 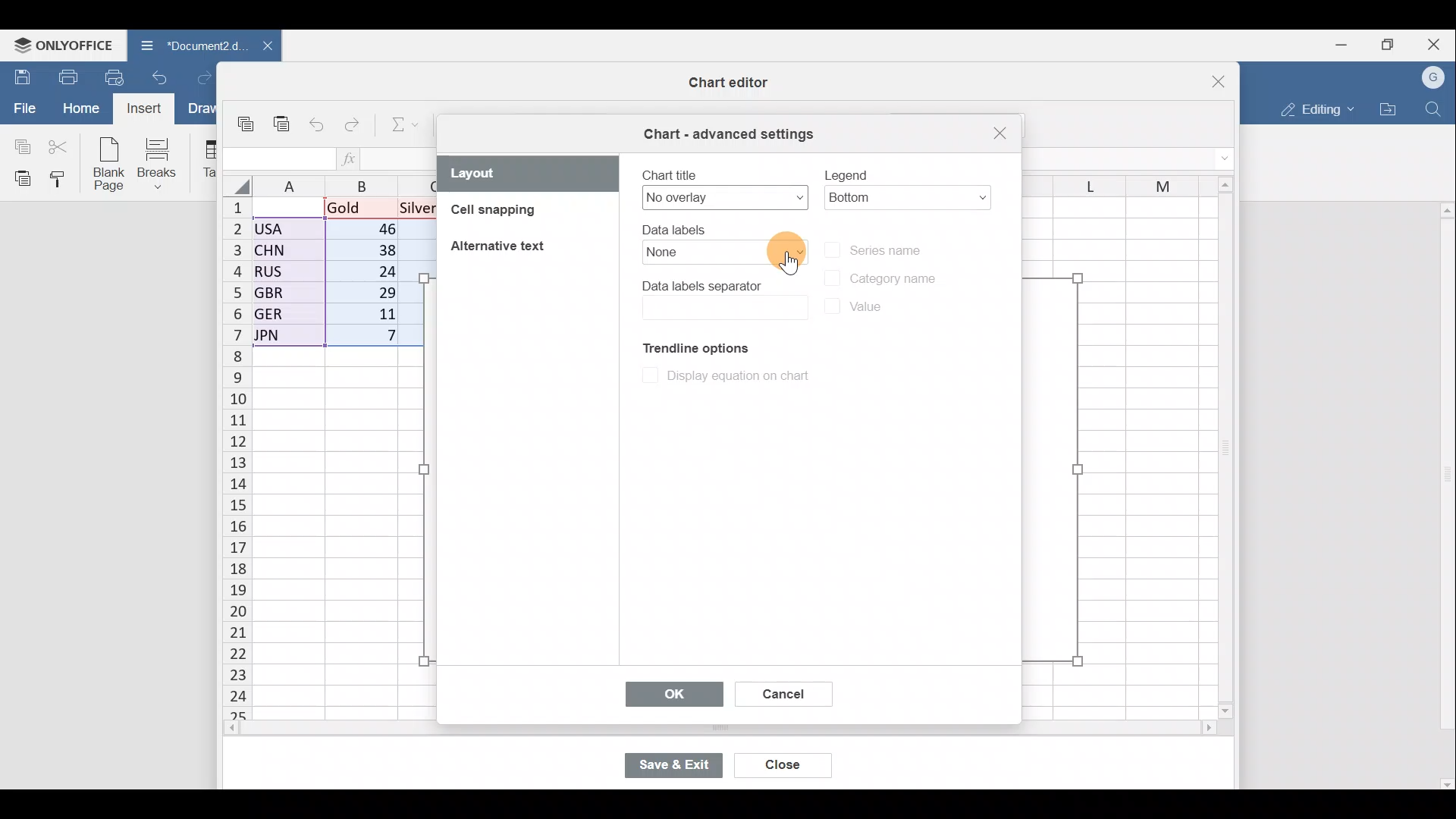 I want to click on Undo, so click(x=164, y=76).